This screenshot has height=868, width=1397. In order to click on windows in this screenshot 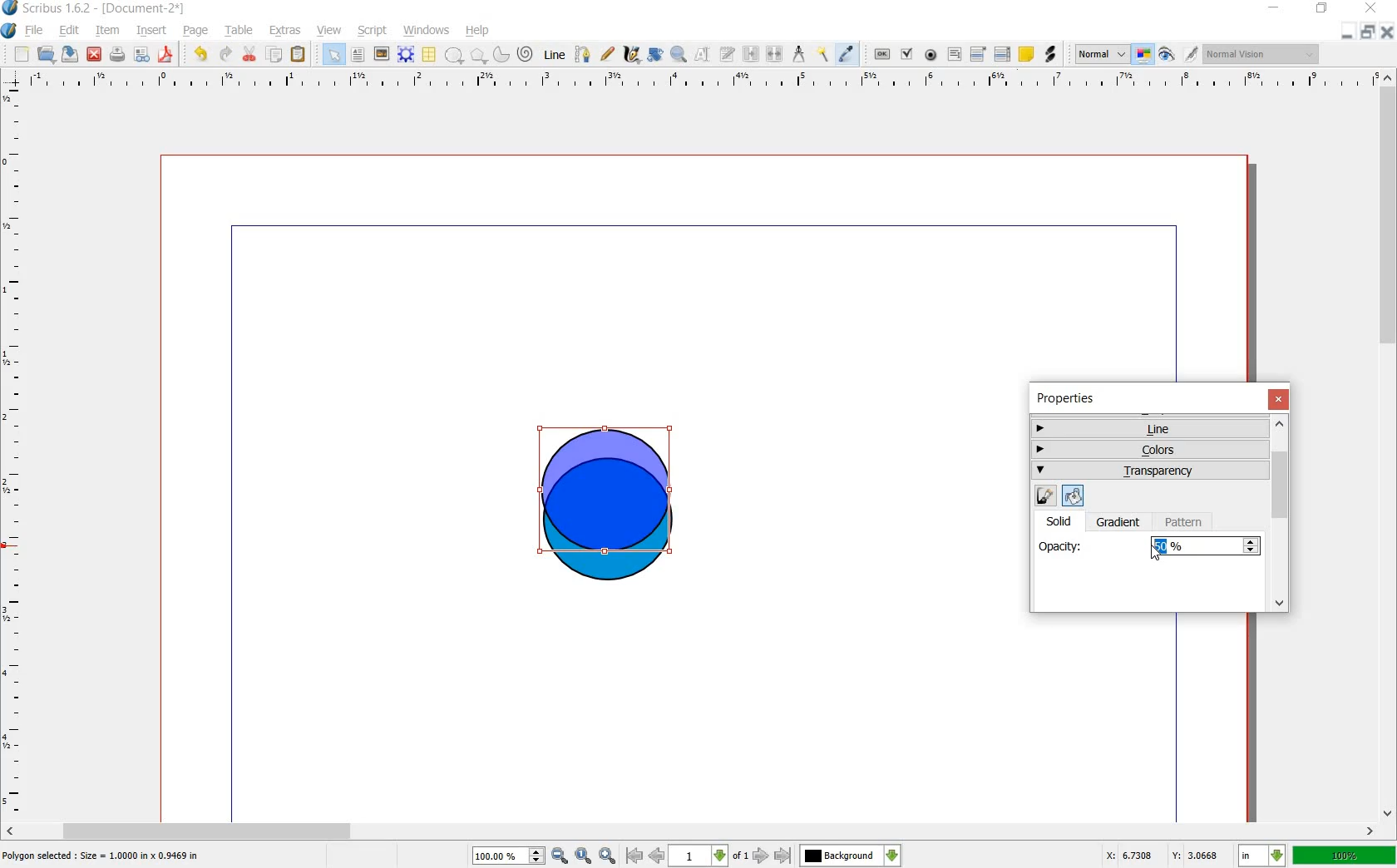, I will do `click(426, 31)`.